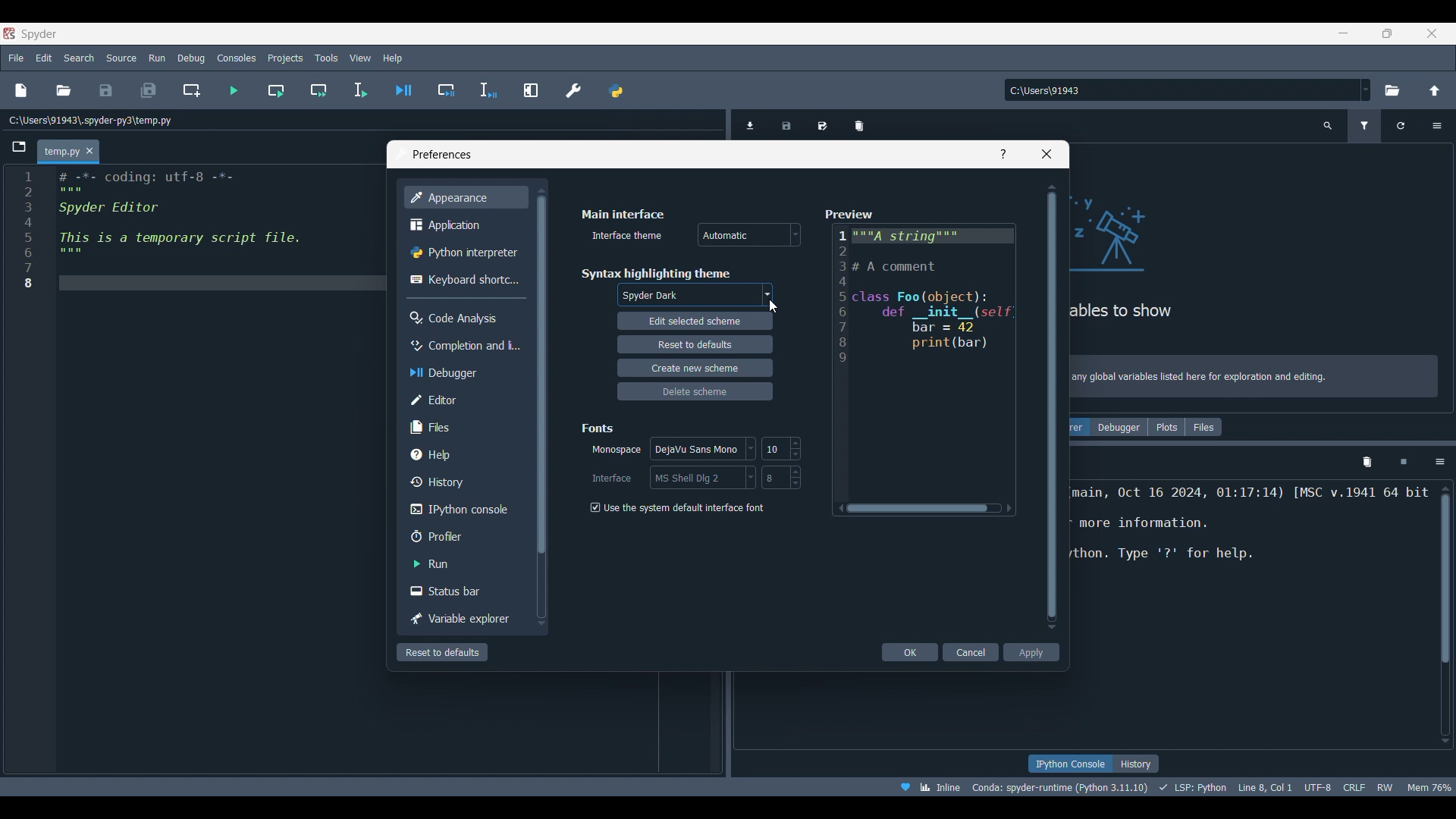 This screenshot has width=1456, height=819. I want to click on Debugger, so click(464, 373).